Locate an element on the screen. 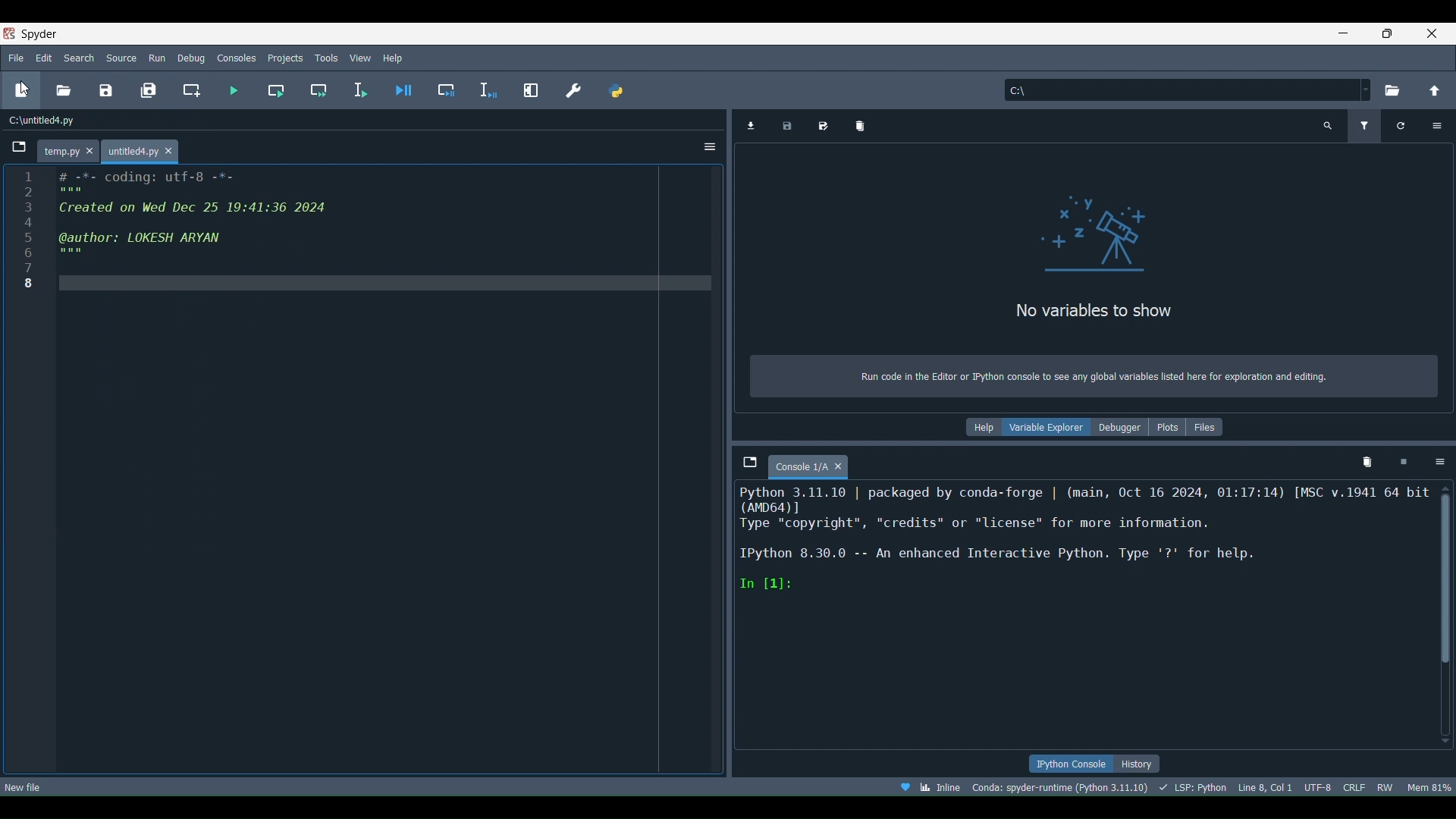 The image size is (1456, 819). Save all files ( Ctrl + Alt + S) is located at coordinates (143, 91).